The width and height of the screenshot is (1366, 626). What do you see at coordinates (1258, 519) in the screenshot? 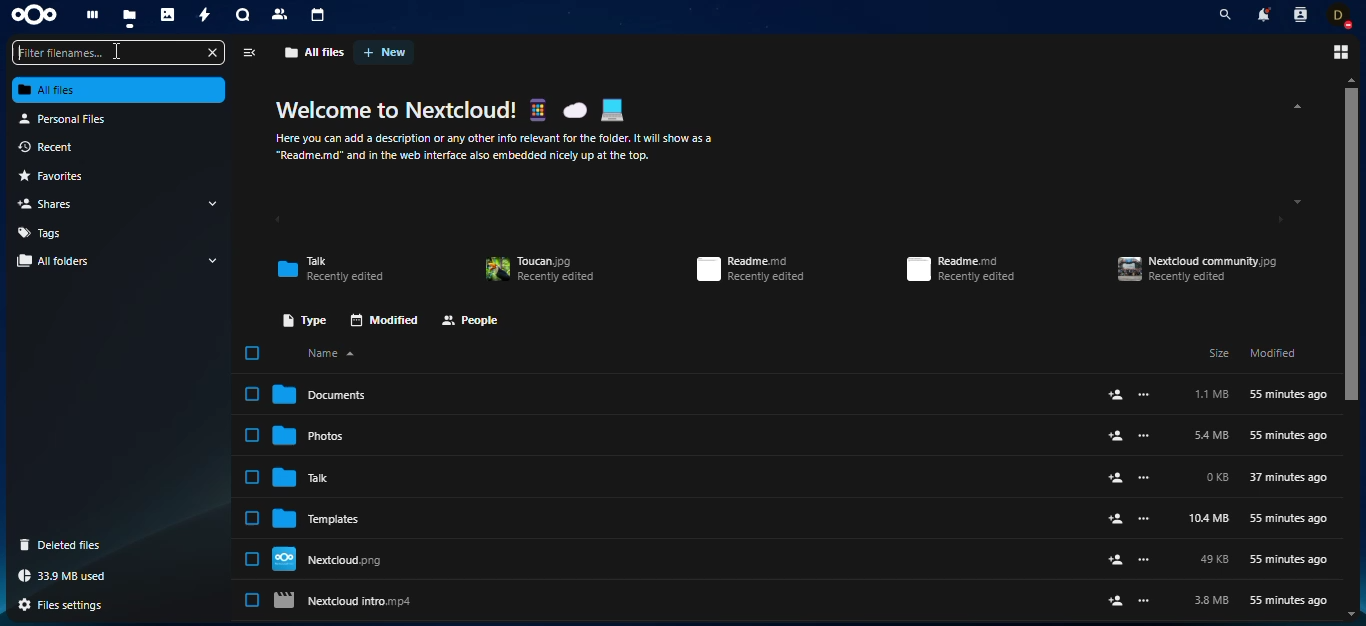
I see `10.4 MB 55 minutes ago` at bounding box center [1258, 519].